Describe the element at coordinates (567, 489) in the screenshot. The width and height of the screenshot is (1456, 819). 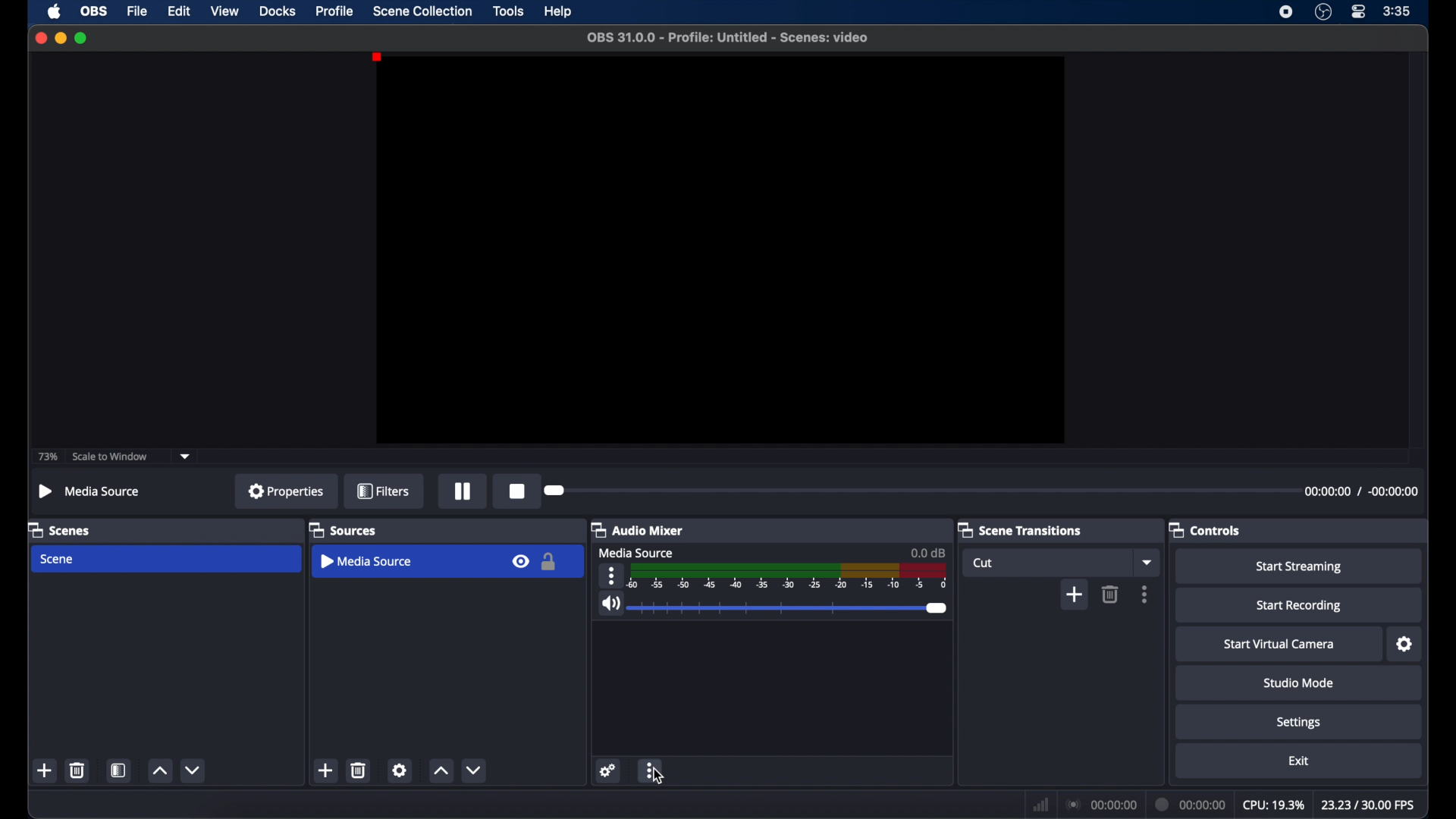
I see `Seeker` at that location.